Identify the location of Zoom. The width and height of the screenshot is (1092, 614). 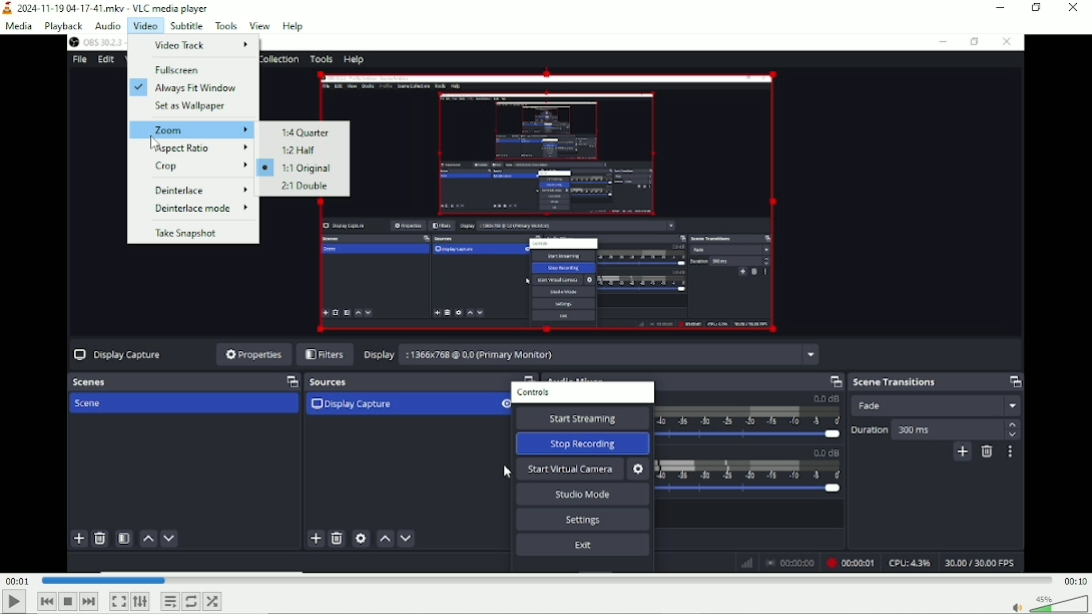
(192, 129).